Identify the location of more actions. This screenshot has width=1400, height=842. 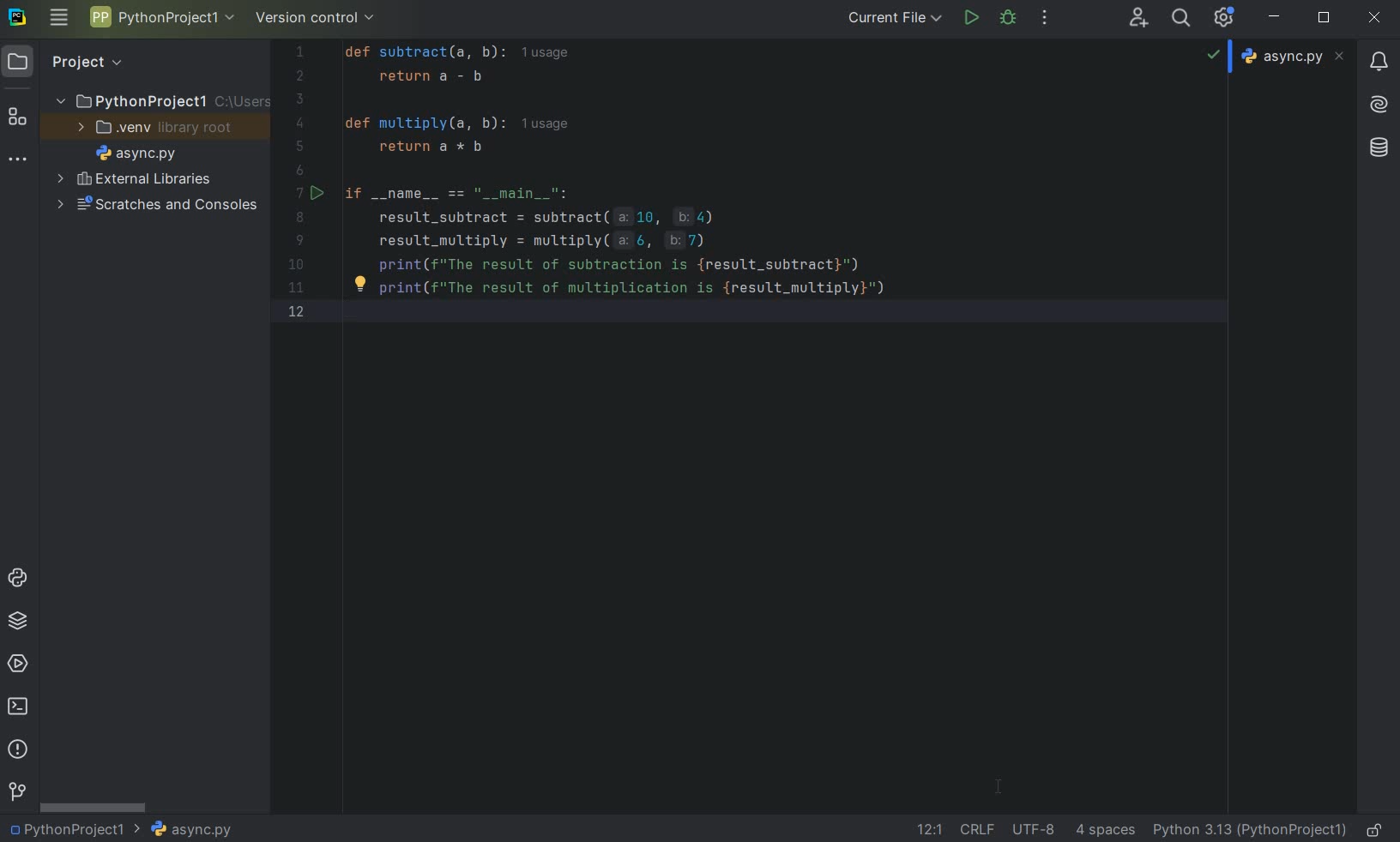
(1044, 20).